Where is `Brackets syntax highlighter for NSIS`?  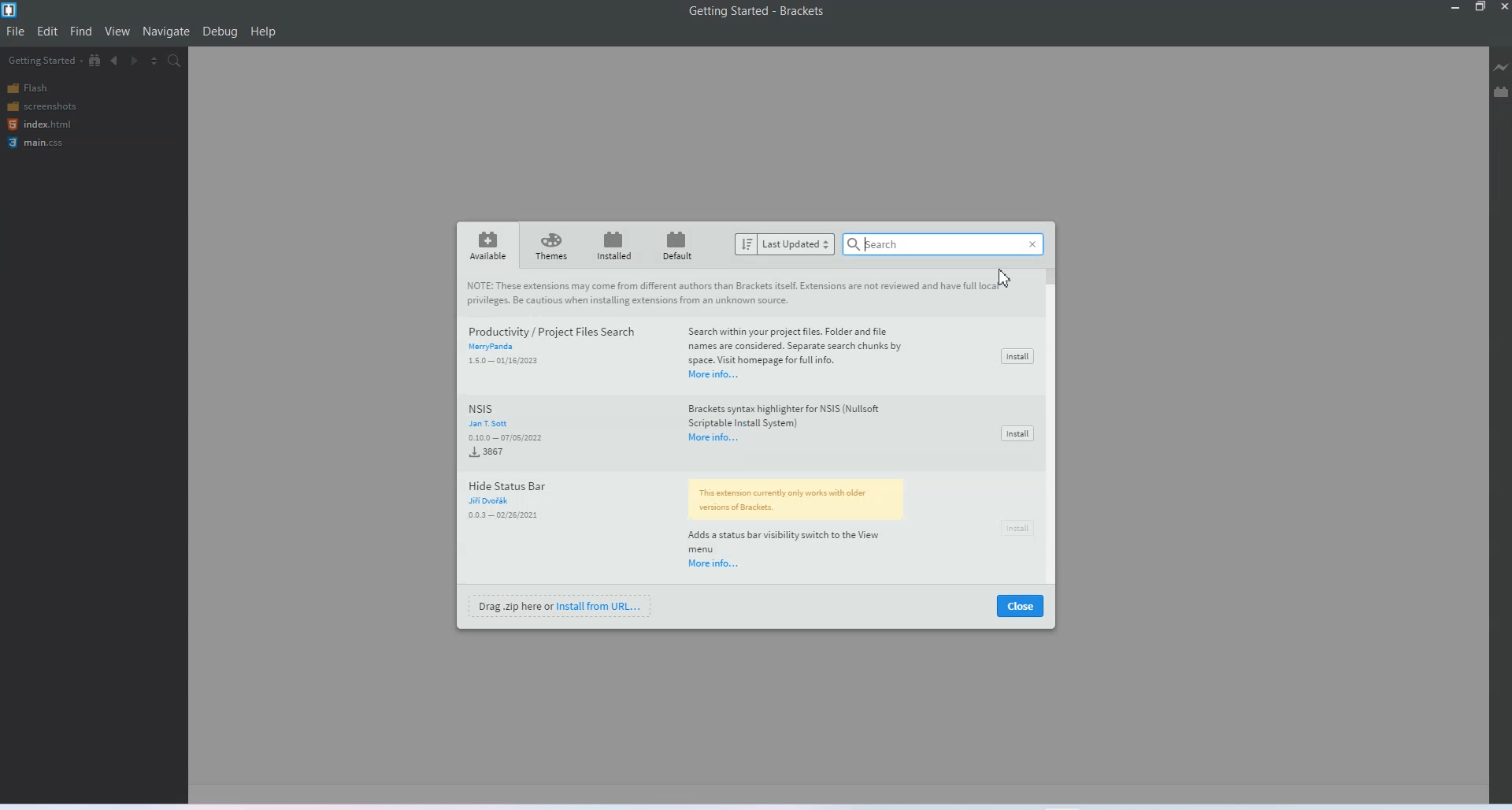
Brackets syntax highlighter for NSIS is located at coordinates (794, 414).